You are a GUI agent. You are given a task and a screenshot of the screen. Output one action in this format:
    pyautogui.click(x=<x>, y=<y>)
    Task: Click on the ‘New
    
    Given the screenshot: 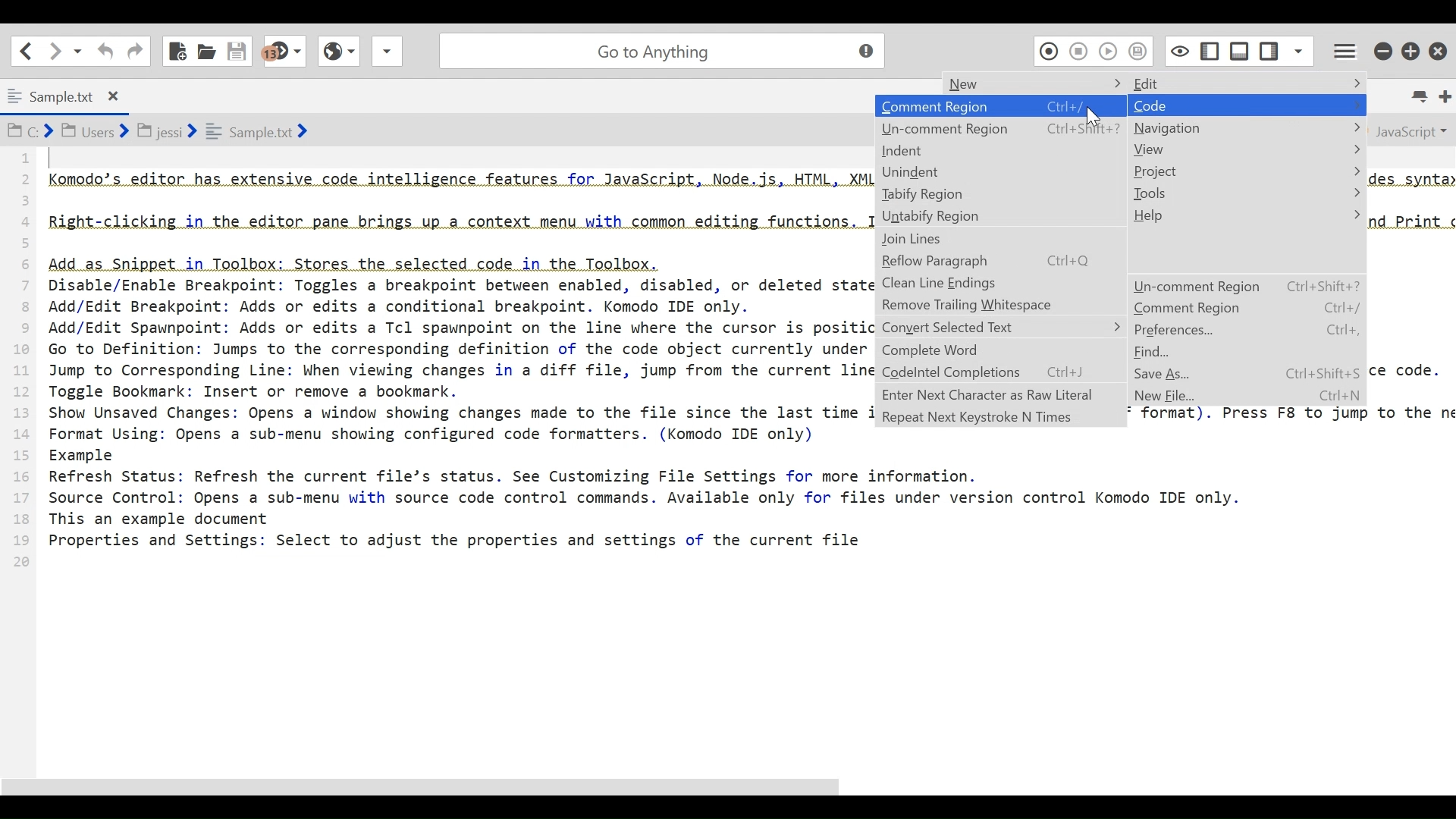 What is the action you would take?
    pyautogui.click(x=1009, y=81)
    